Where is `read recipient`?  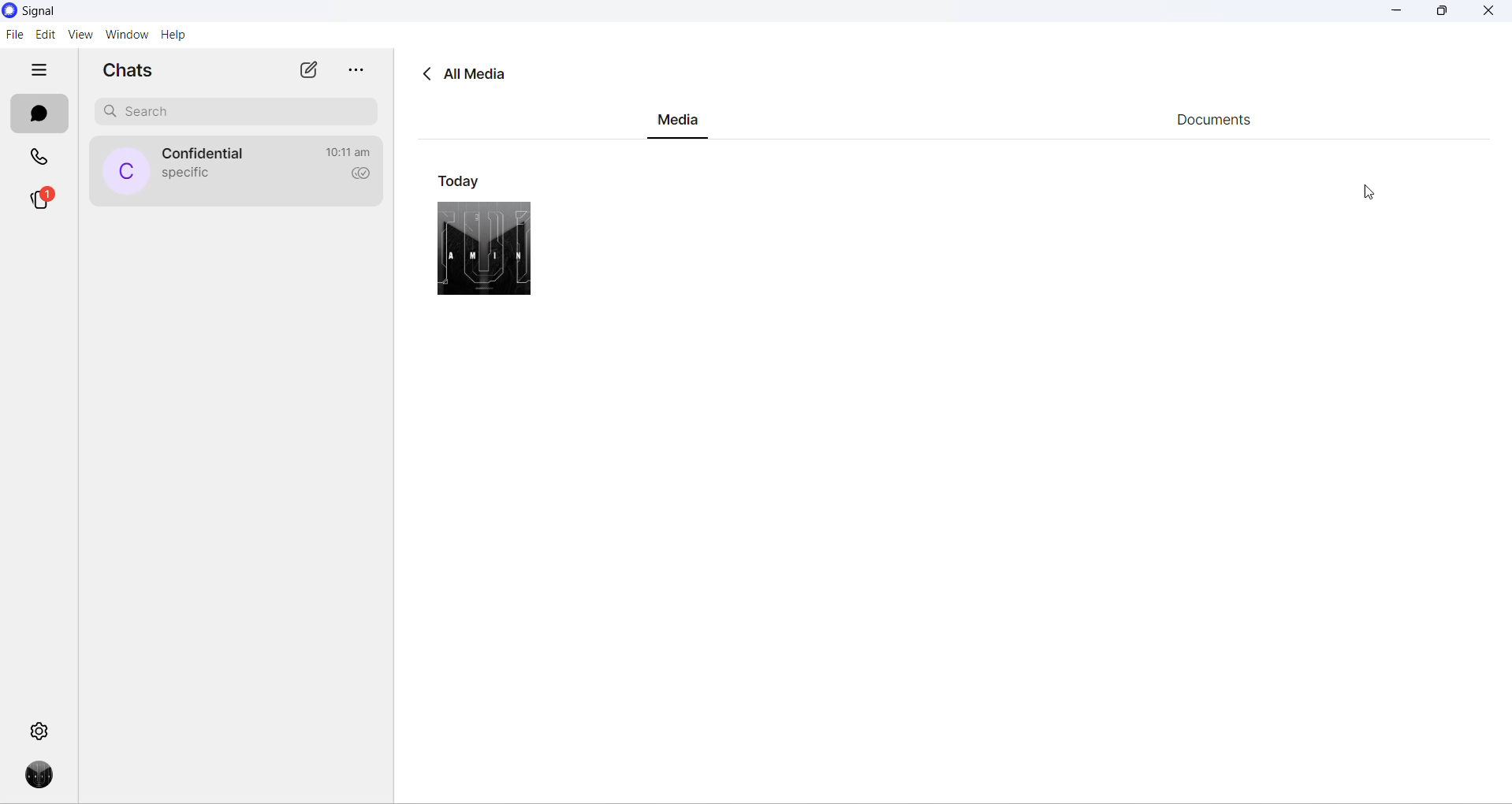
read recipient is located at coordinates (359, 179).